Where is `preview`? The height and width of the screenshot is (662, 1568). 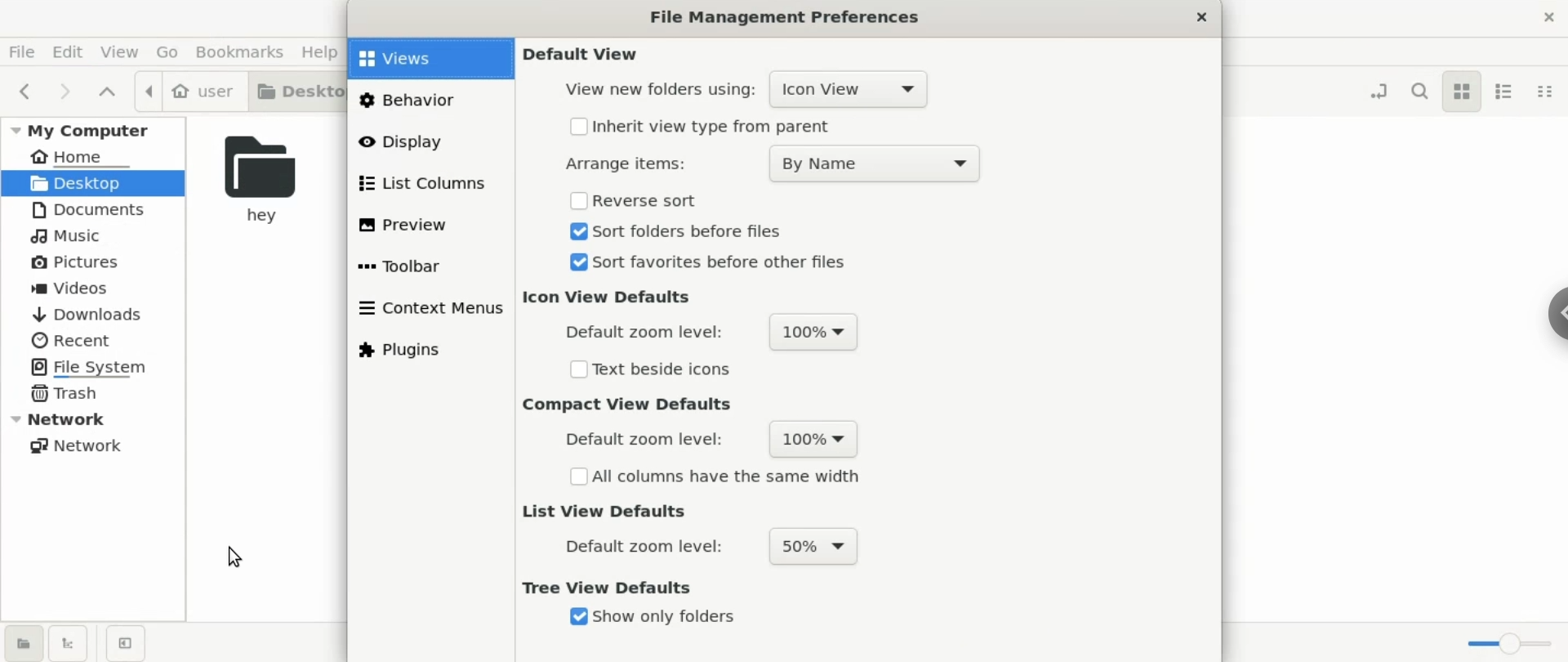 preview is located at coordinates (408, 224).